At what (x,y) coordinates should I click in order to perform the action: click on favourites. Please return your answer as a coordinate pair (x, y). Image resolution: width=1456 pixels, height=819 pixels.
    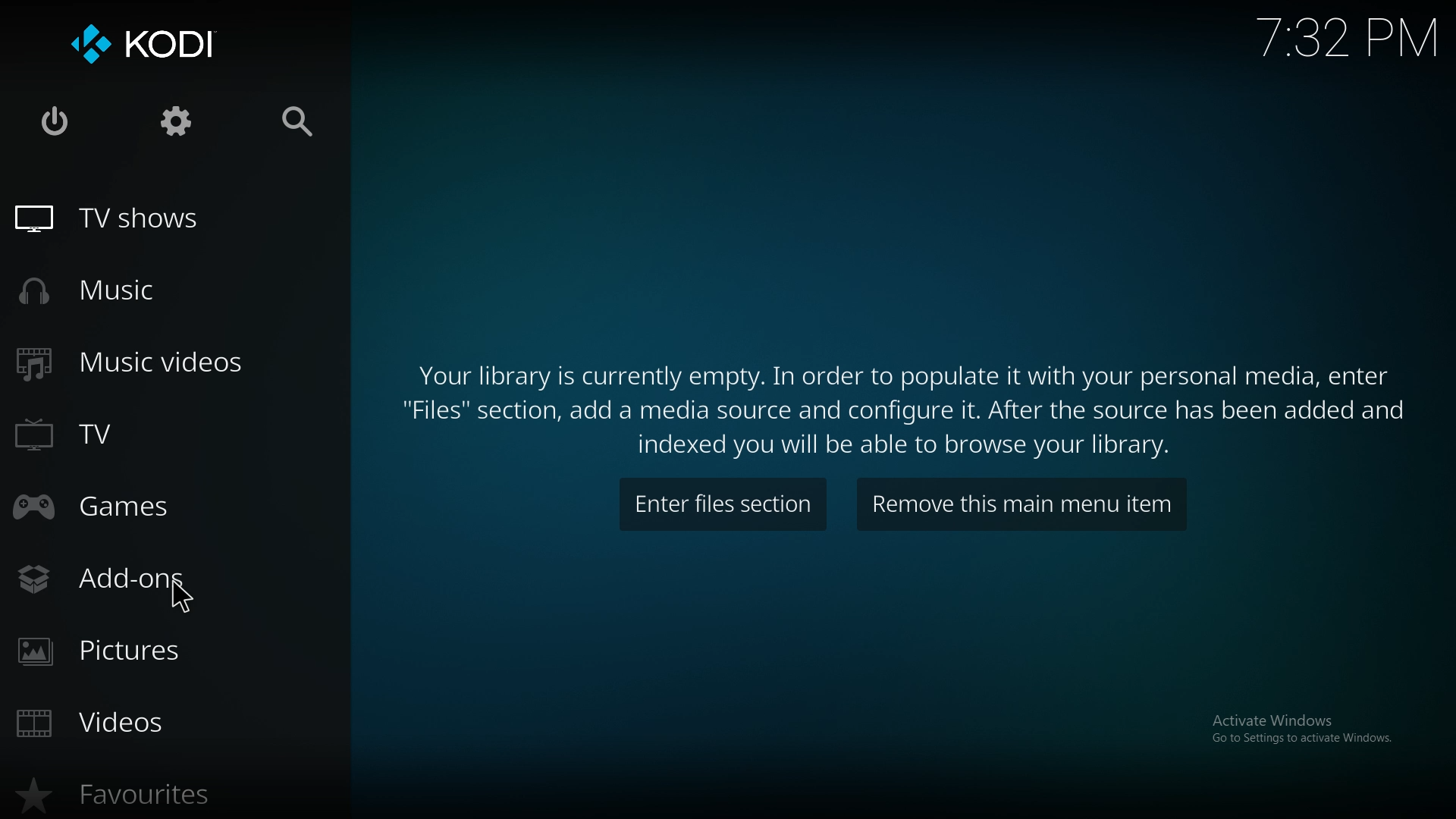
    Looking at the image, I should click on (142, 792).